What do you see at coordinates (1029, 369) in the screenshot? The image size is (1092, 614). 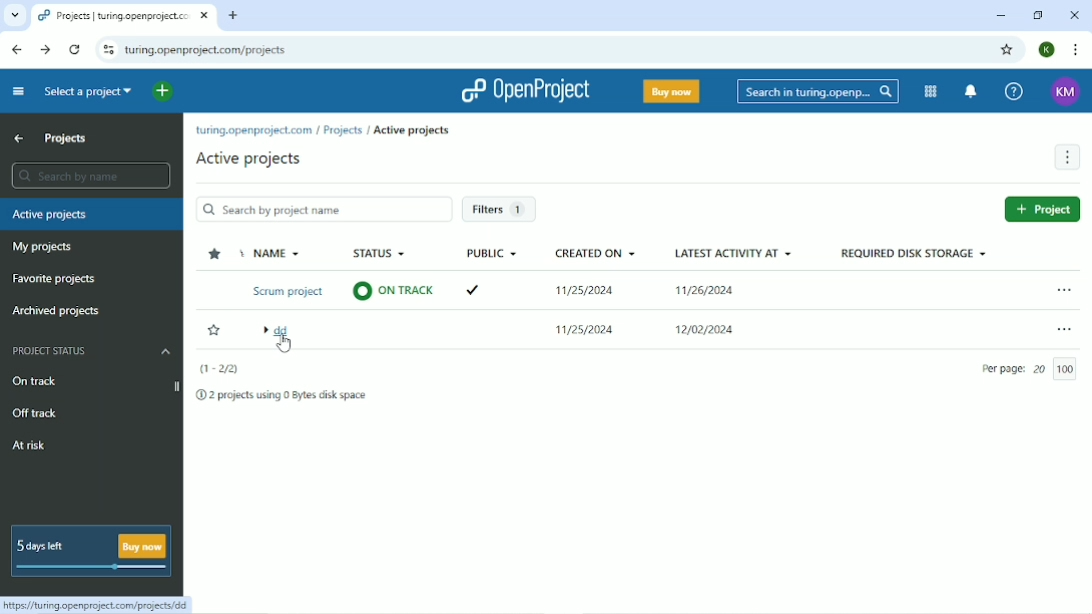 I see `Per page 20 100` at bounding box center [1029, 369].